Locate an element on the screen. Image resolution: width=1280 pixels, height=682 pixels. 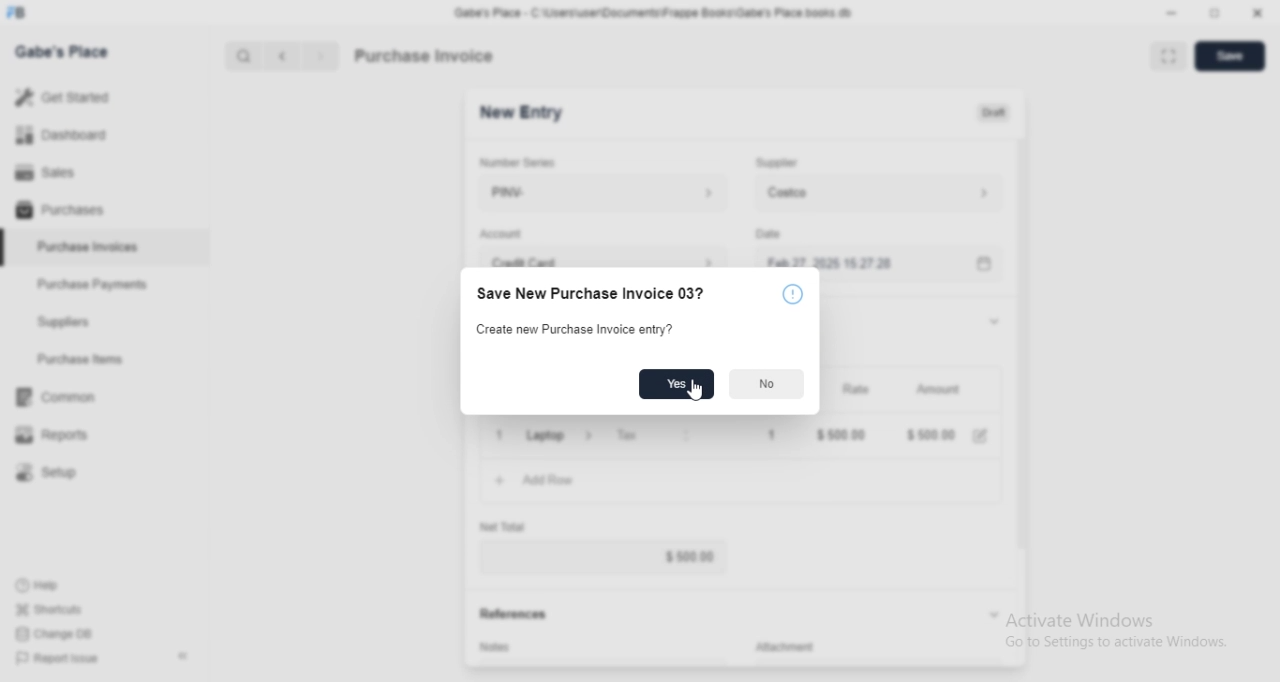
Next is located at coordinates (322, 56).